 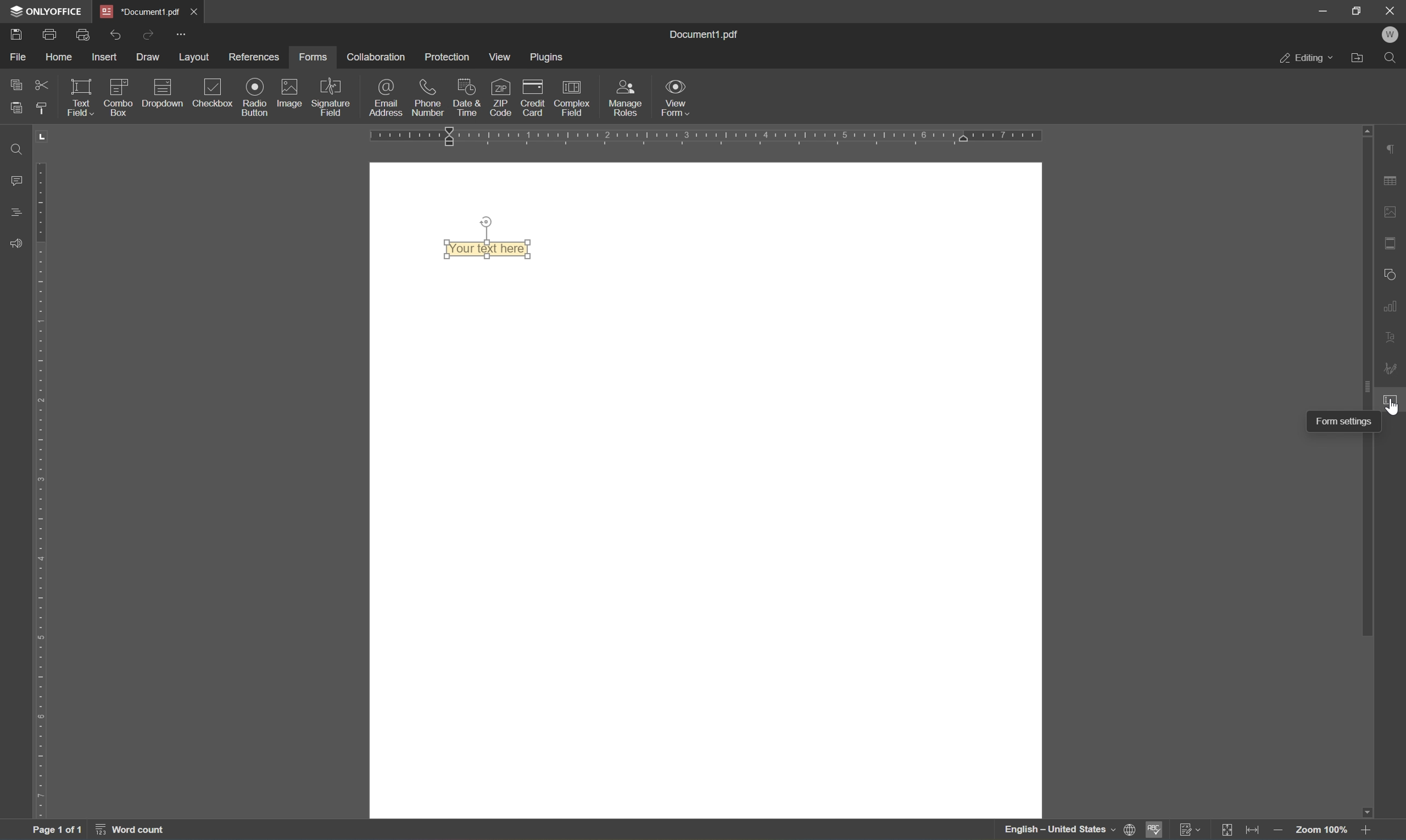 What do you see at coordinates (1393, 211) in the screenshot?
I see `image settings` at bounding box center [1393, 211].